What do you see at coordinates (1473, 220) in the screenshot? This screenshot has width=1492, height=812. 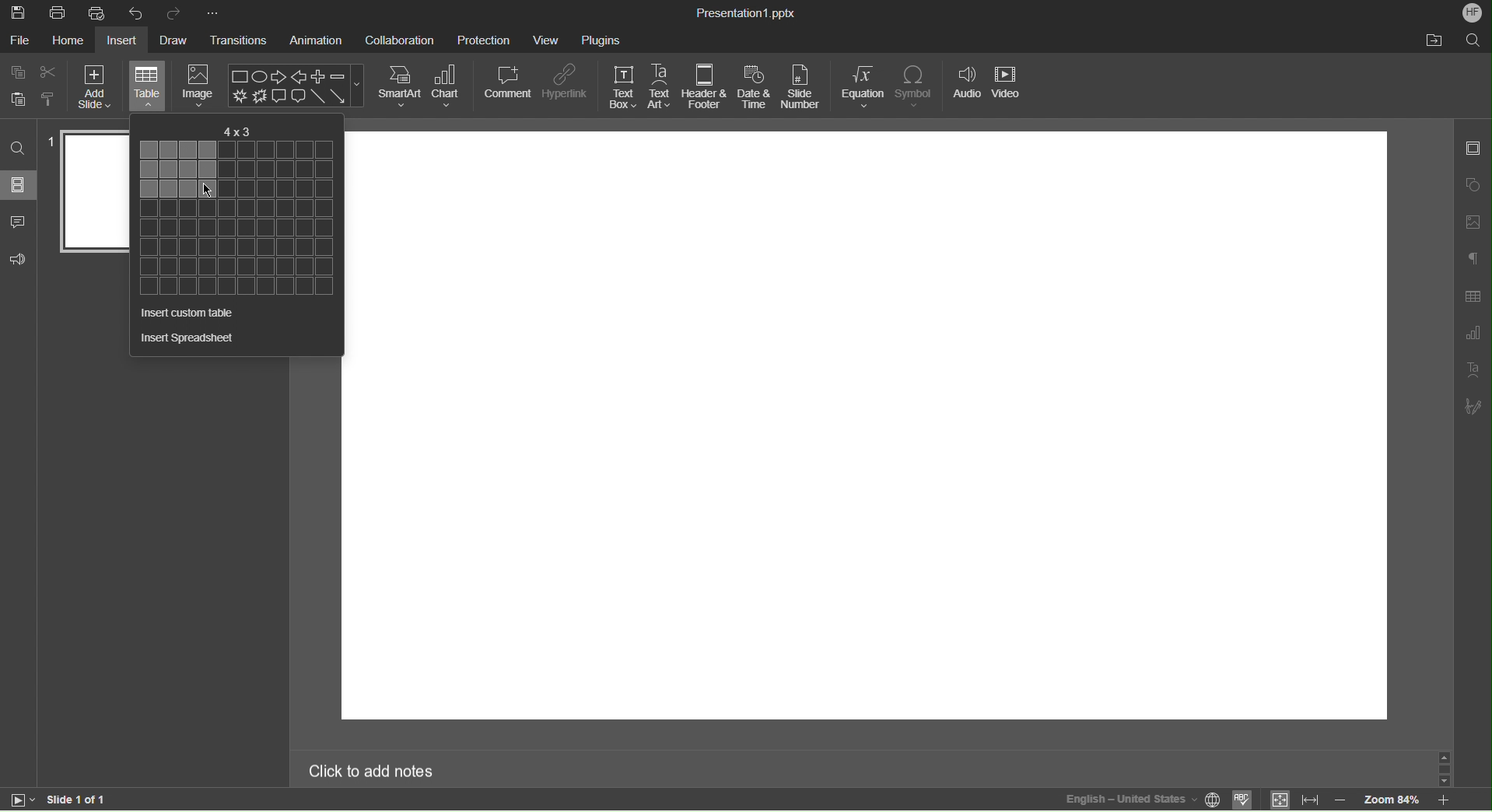 I see `Image Settings` at bounding box center [1473, 220].